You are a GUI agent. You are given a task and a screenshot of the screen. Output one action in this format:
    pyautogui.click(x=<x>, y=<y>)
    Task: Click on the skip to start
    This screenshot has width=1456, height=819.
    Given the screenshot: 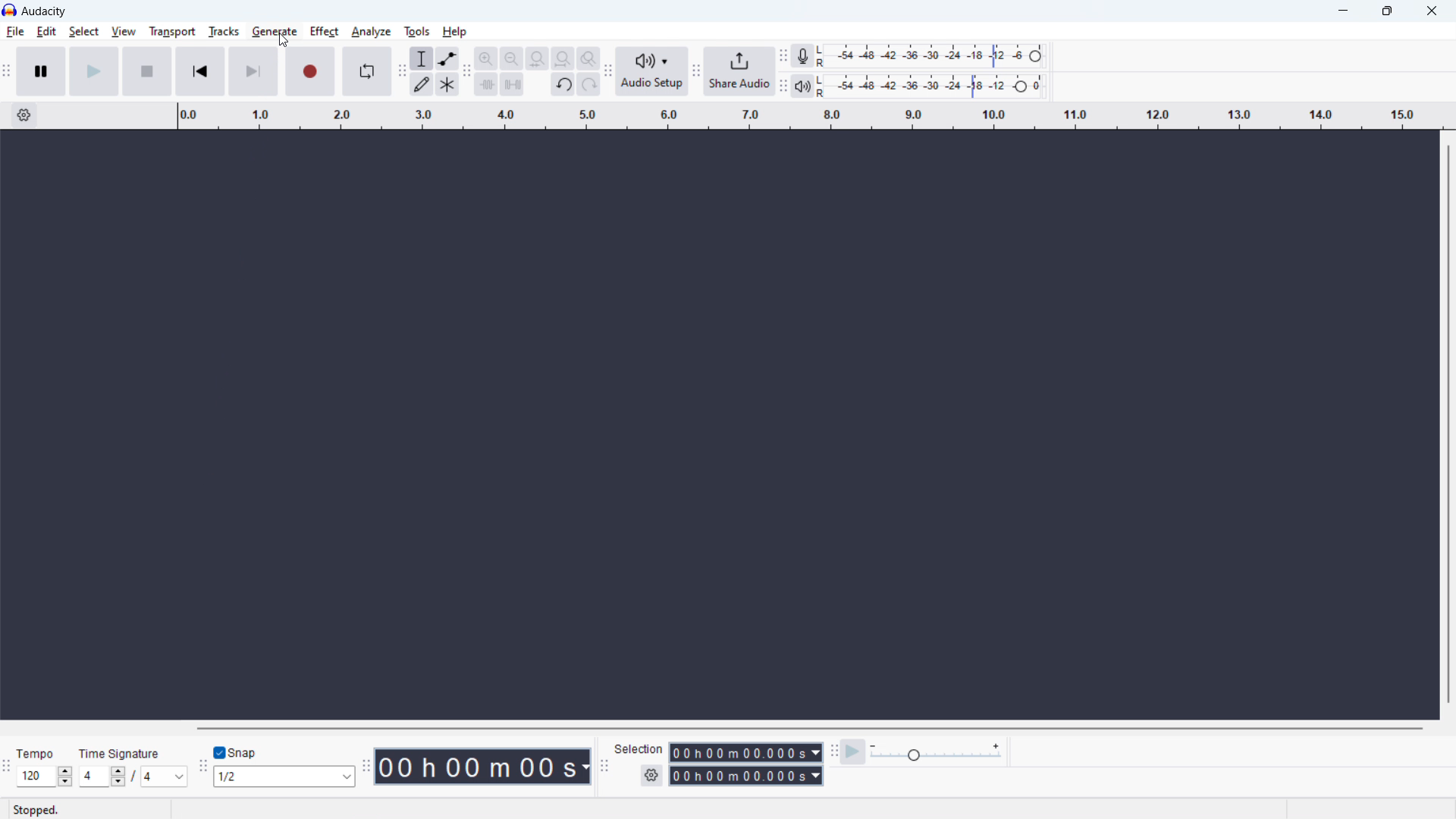 What is the action you would take?
    pyautogui.click(x=200, y=71)
    